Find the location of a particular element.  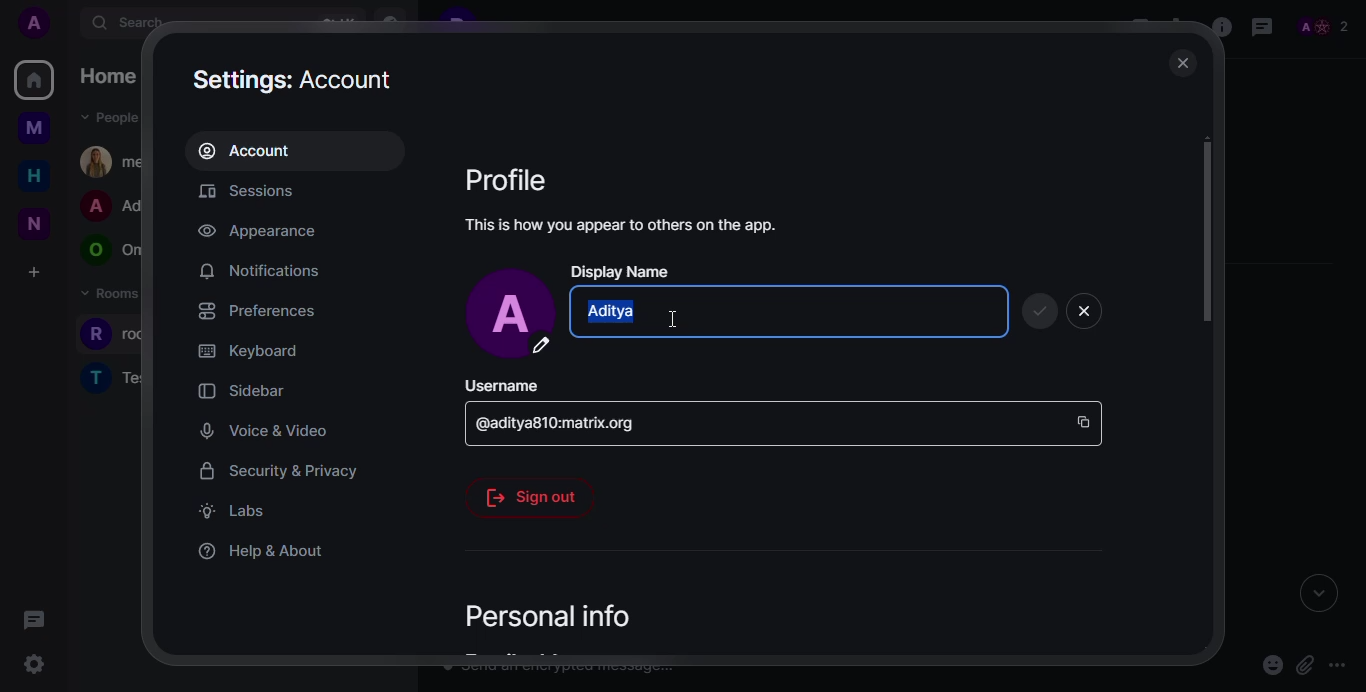

people is located at coordinates (113, 159).